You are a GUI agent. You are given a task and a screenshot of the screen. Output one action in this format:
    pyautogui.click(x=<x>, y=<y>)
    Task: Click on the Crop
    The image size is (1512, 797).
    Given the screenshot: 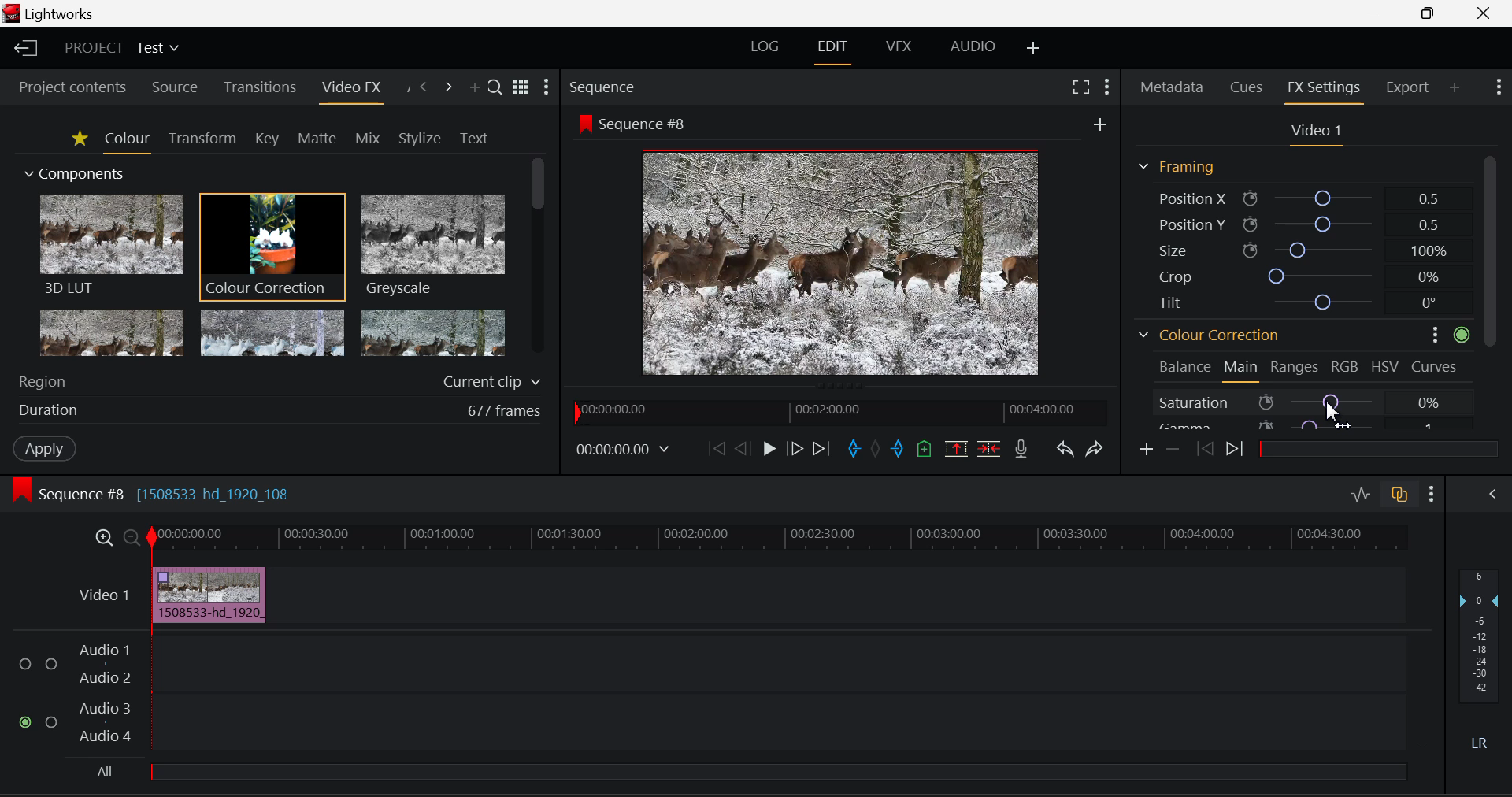 What is the action you would take?
    pyautogui.click(x=1296, y=275)
    